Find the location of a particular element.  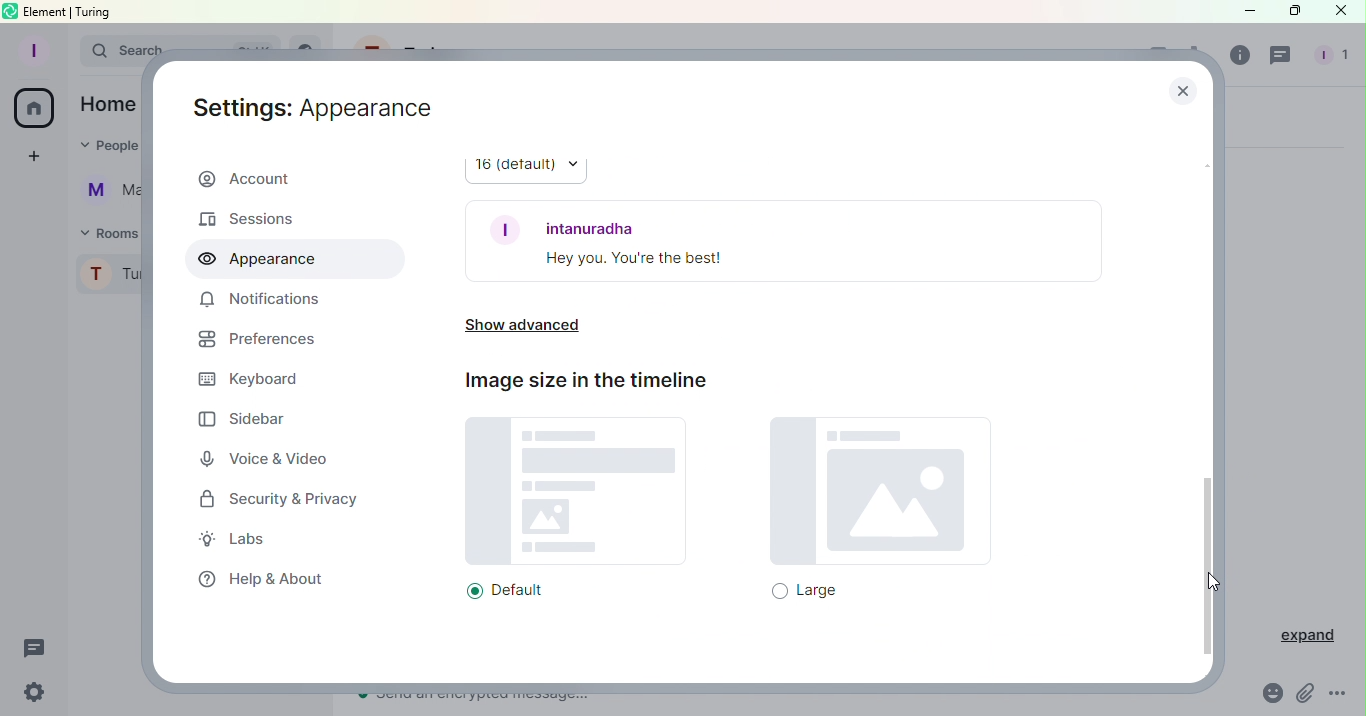

Sidebar is located at coordinates (249, 421).